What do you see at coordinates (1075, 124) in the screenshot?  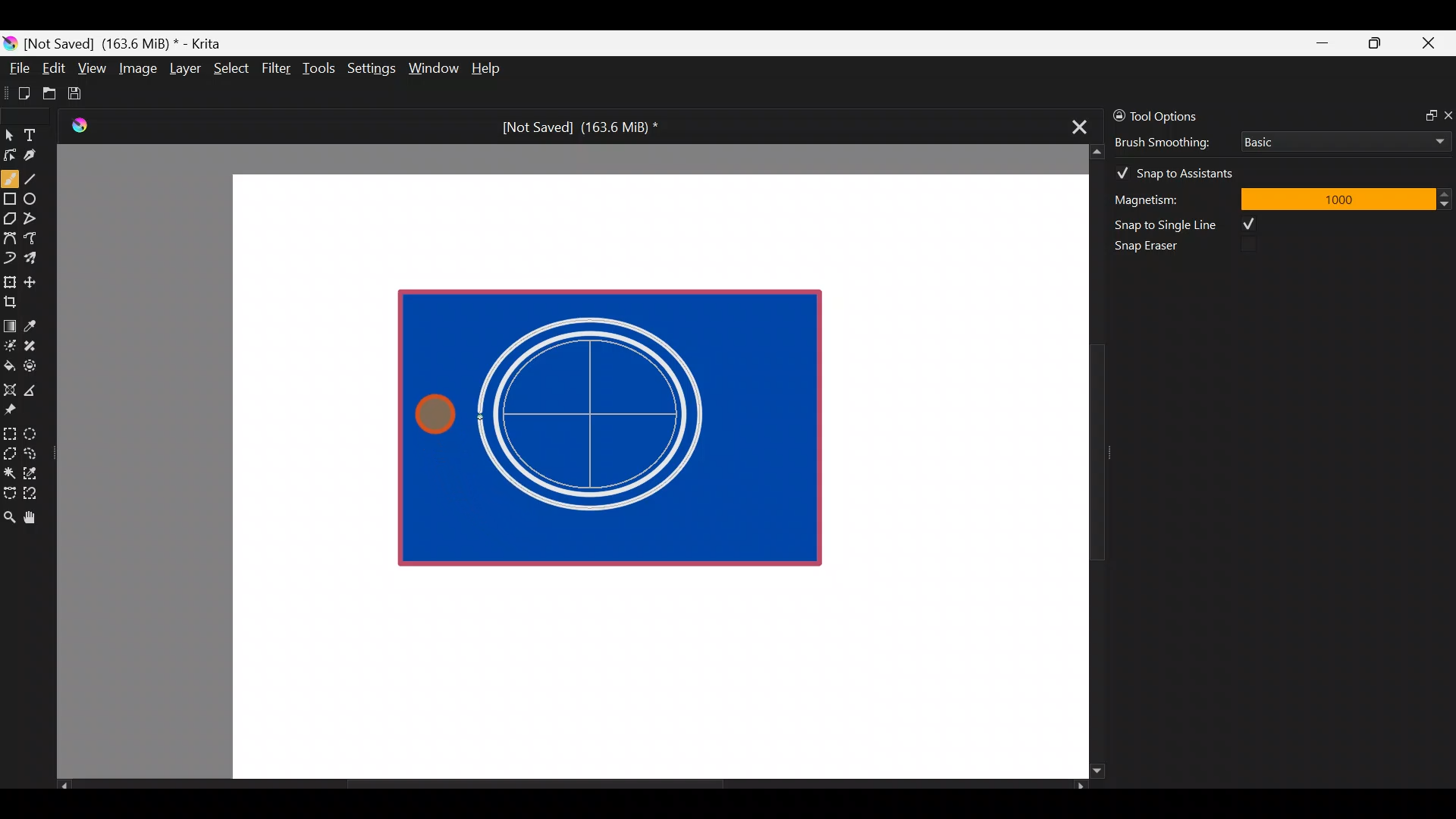 I see `Close tab` at bounding box center [1075, 124].